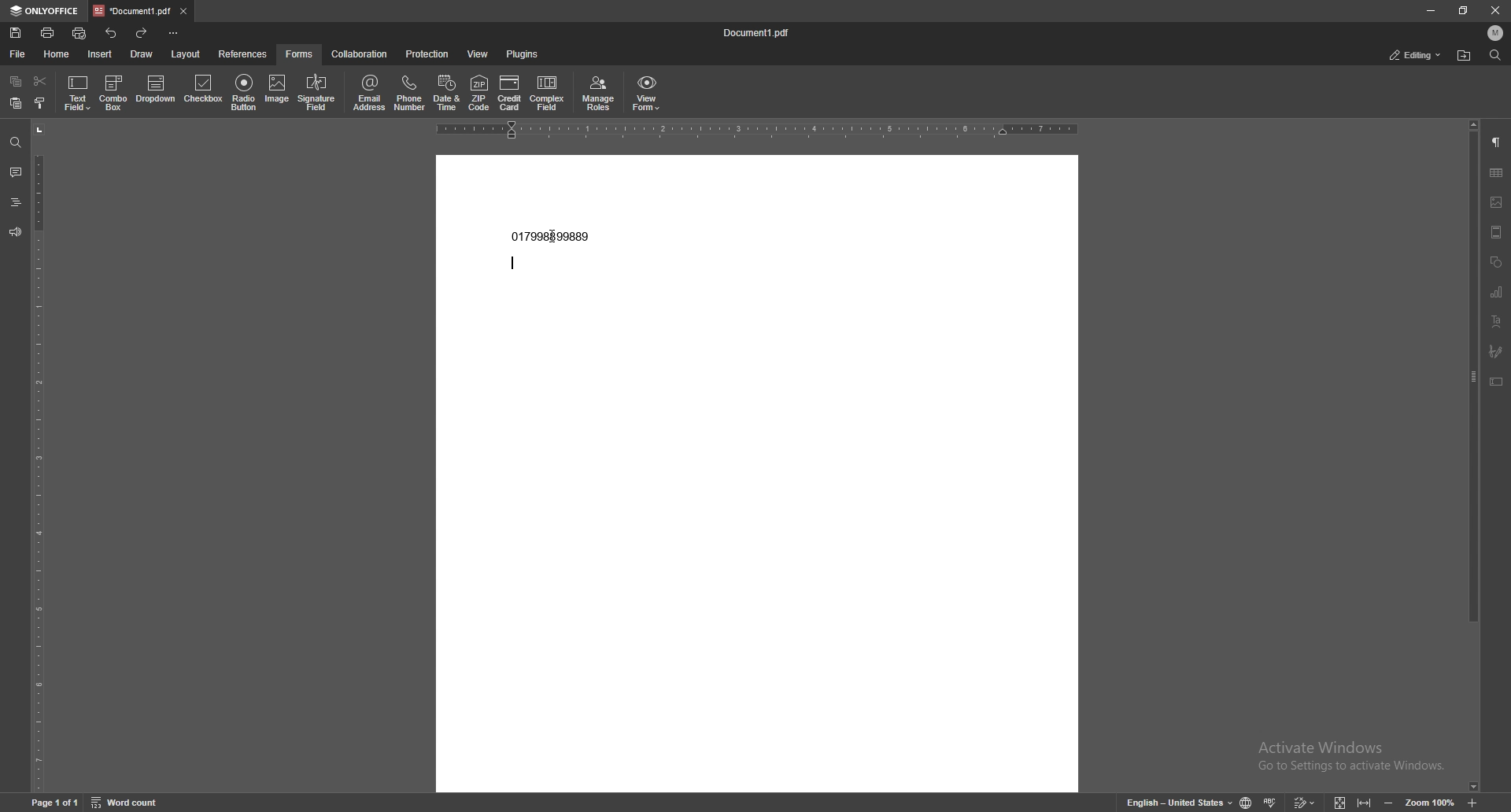  What do you see at coordinates (547, 93) in the screenshot?
I see `complex` at bounding box center [547, 93].